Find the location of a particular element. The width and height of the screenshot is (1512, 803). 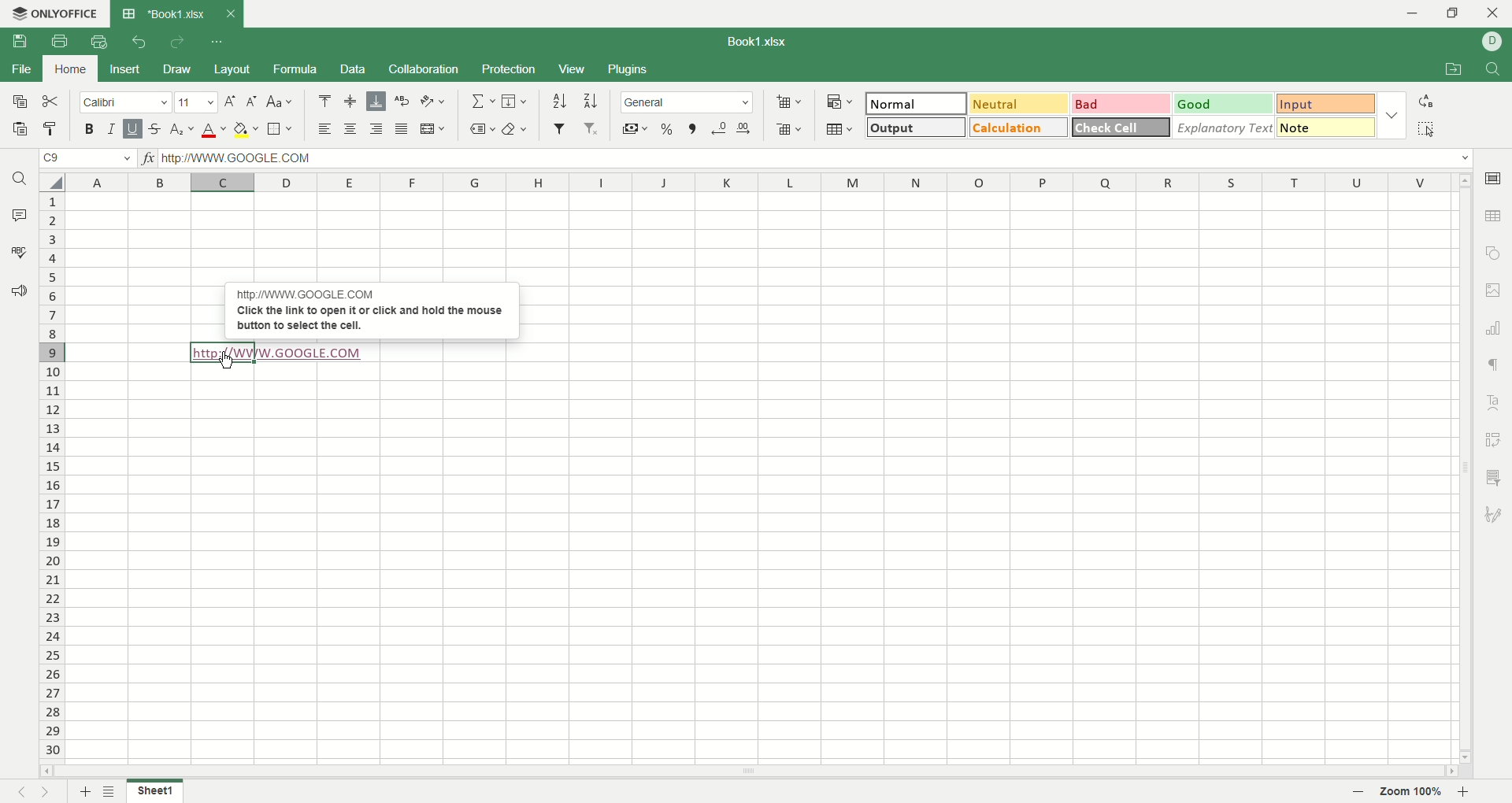

orientation is located at coordinates (431, 101).